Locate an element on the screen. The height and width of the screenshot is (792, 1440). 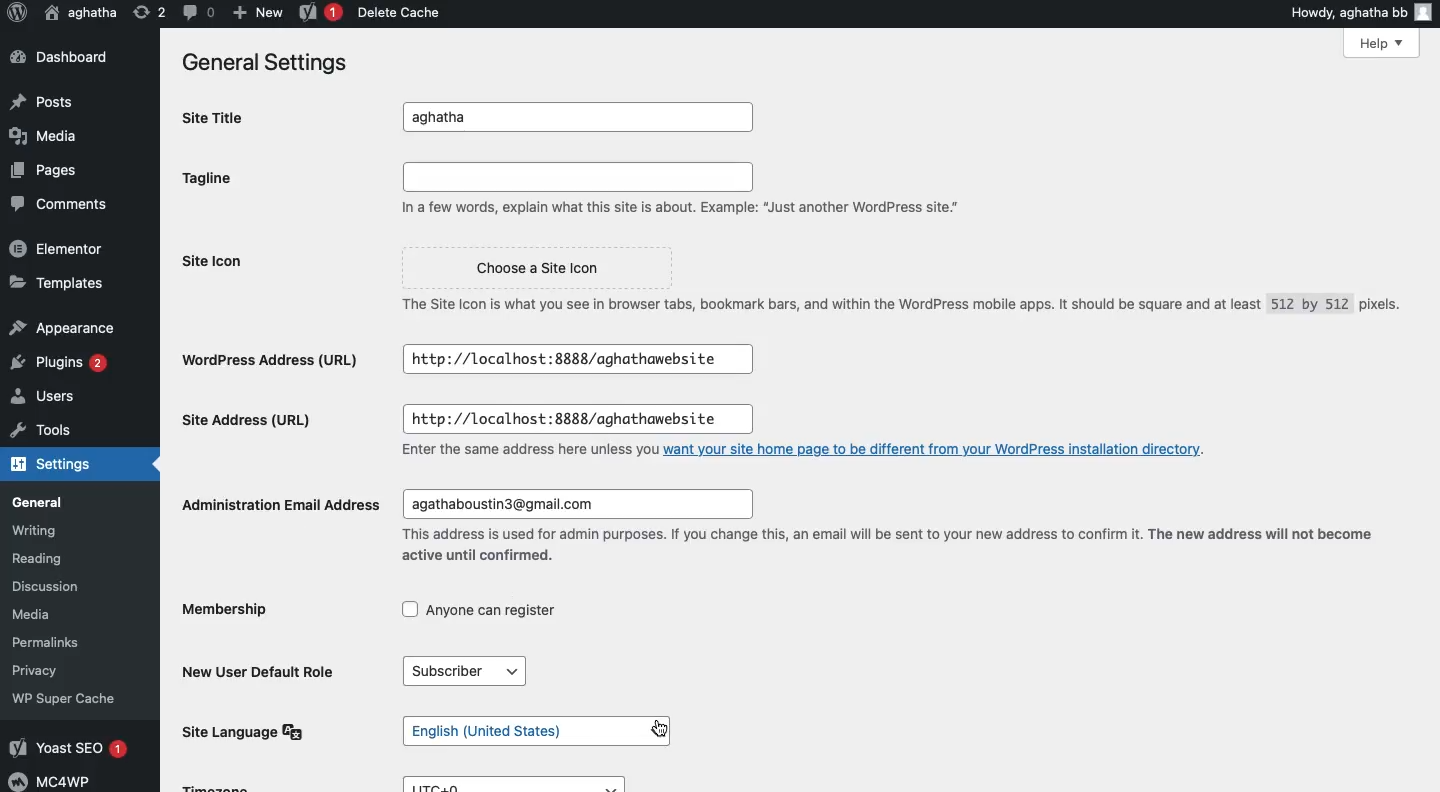
WP Super Cache is located at coordinates (67, 698).